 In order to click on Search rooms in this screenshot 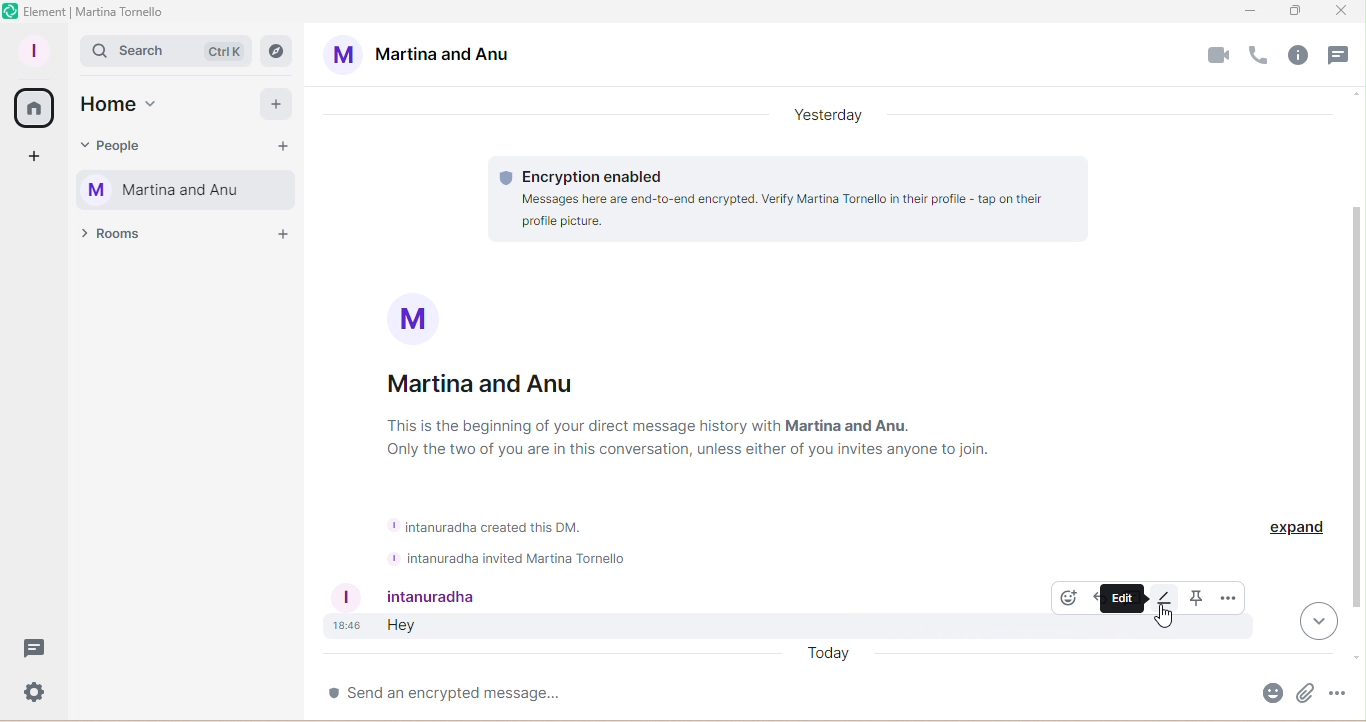, I will do `click(275, 49)`.